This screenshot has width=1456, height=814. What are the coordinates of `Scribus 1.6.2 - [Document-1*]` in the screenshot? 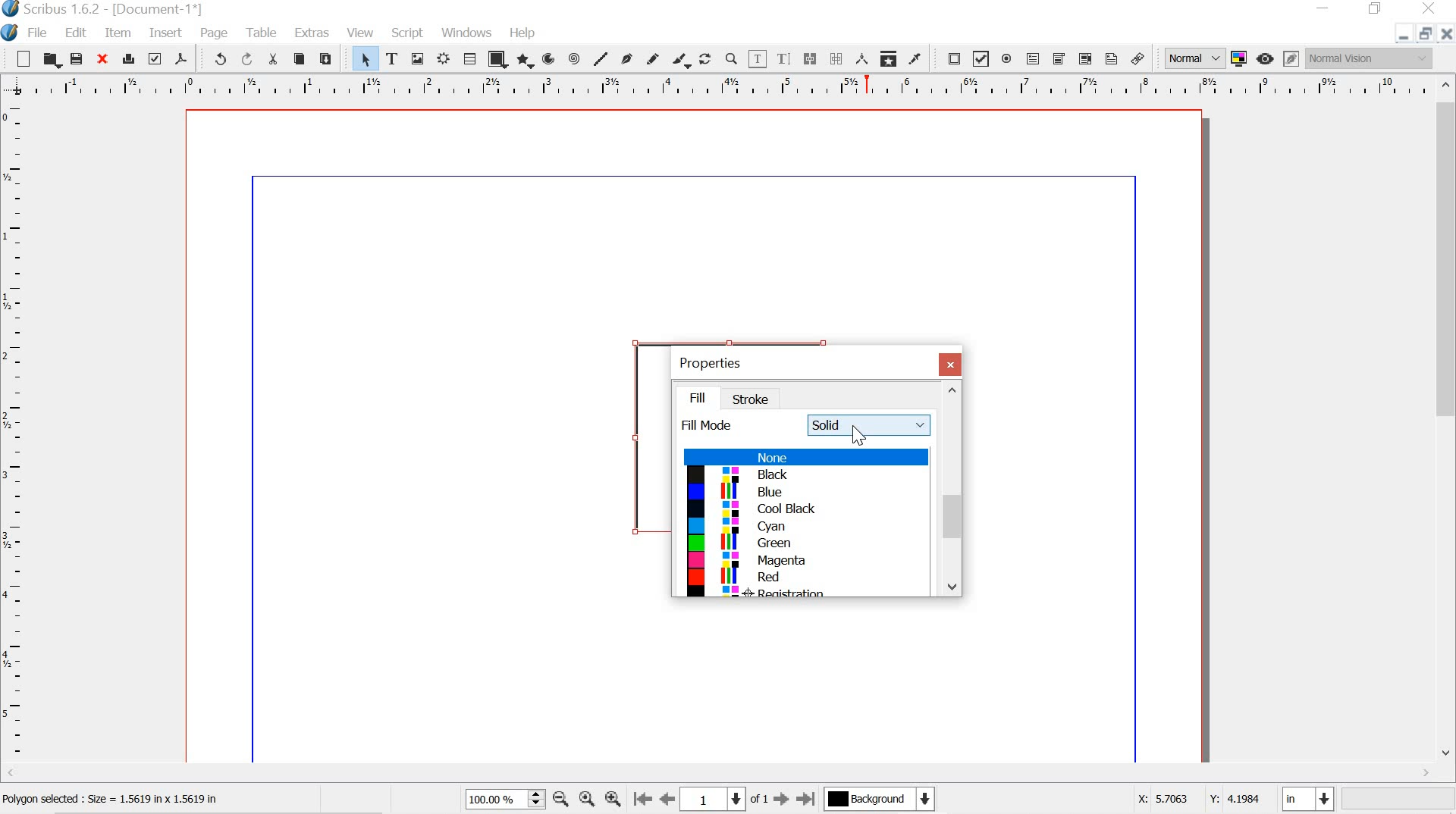 It's located at (124, 9).